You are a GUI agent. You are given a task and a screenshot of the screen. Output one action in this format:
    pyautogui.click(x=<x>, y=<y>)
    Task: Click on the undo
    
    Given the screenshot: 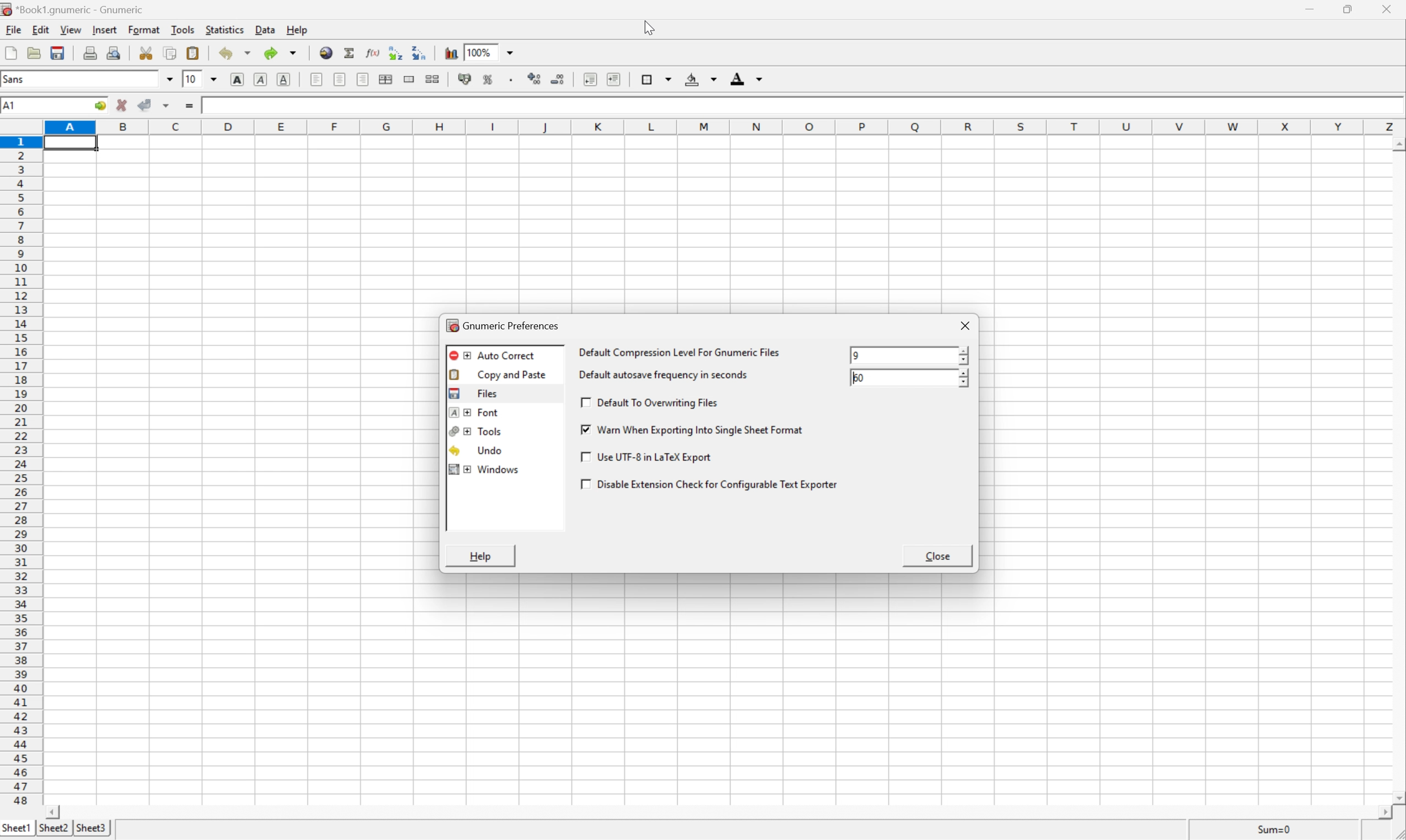 What is the action you would take?
    pyautogui.click(x=480, y=452)
    